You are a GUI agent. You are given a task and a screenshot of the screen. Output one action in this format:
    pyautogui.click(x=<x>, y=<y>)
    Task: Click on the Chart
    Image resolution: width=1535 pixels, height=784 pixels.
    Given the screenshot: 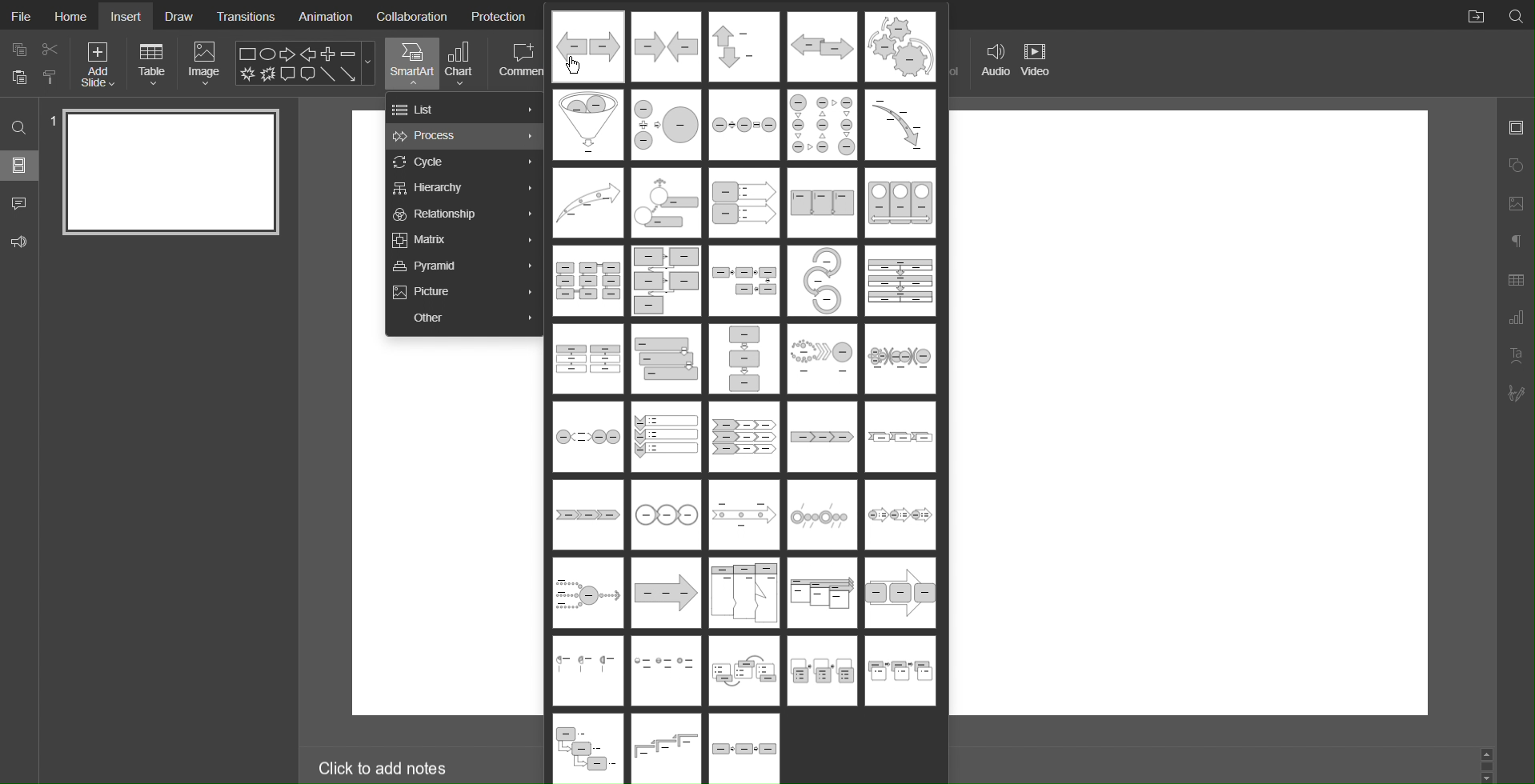 What is the action you would take?
    pyautogui.click(x=463, y=64)
    